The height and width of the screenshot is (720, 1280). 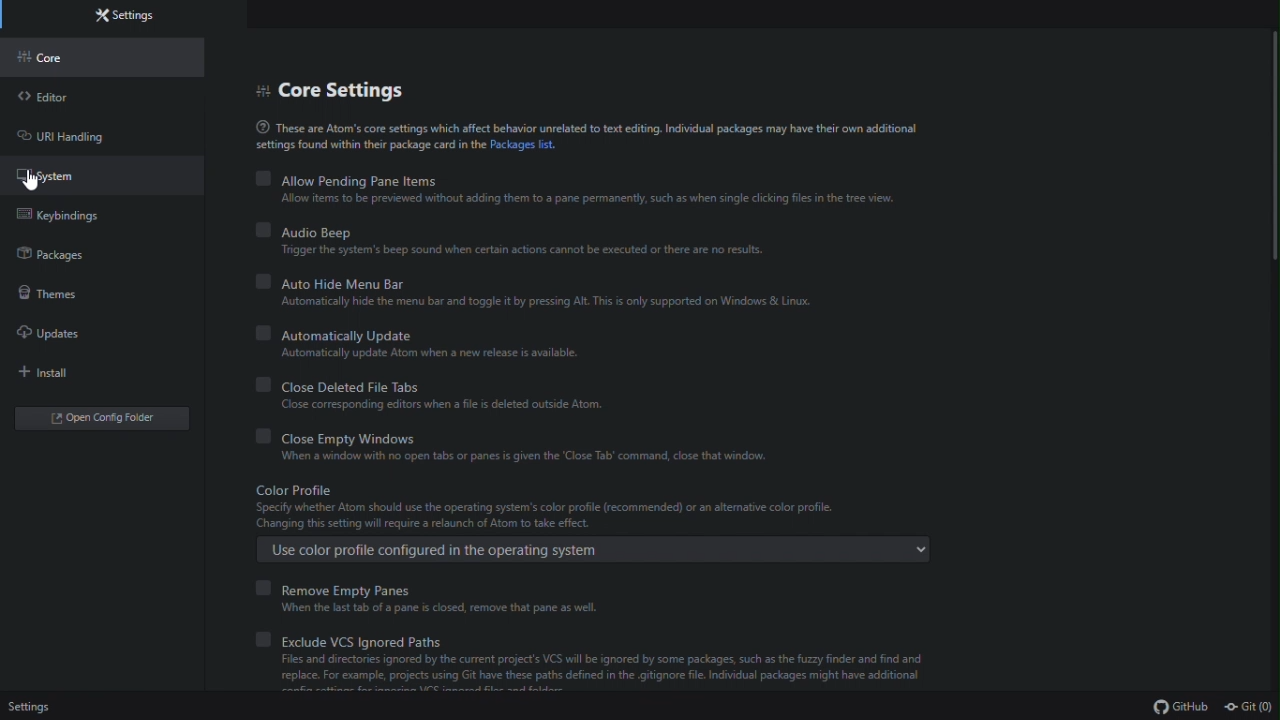 What do you see at coordinates (440, 404) in the screenshot?
I see `Close. ose corresponding sponding pa when a file 5 deleted outside Atom.` at bounding box center [440, 404].